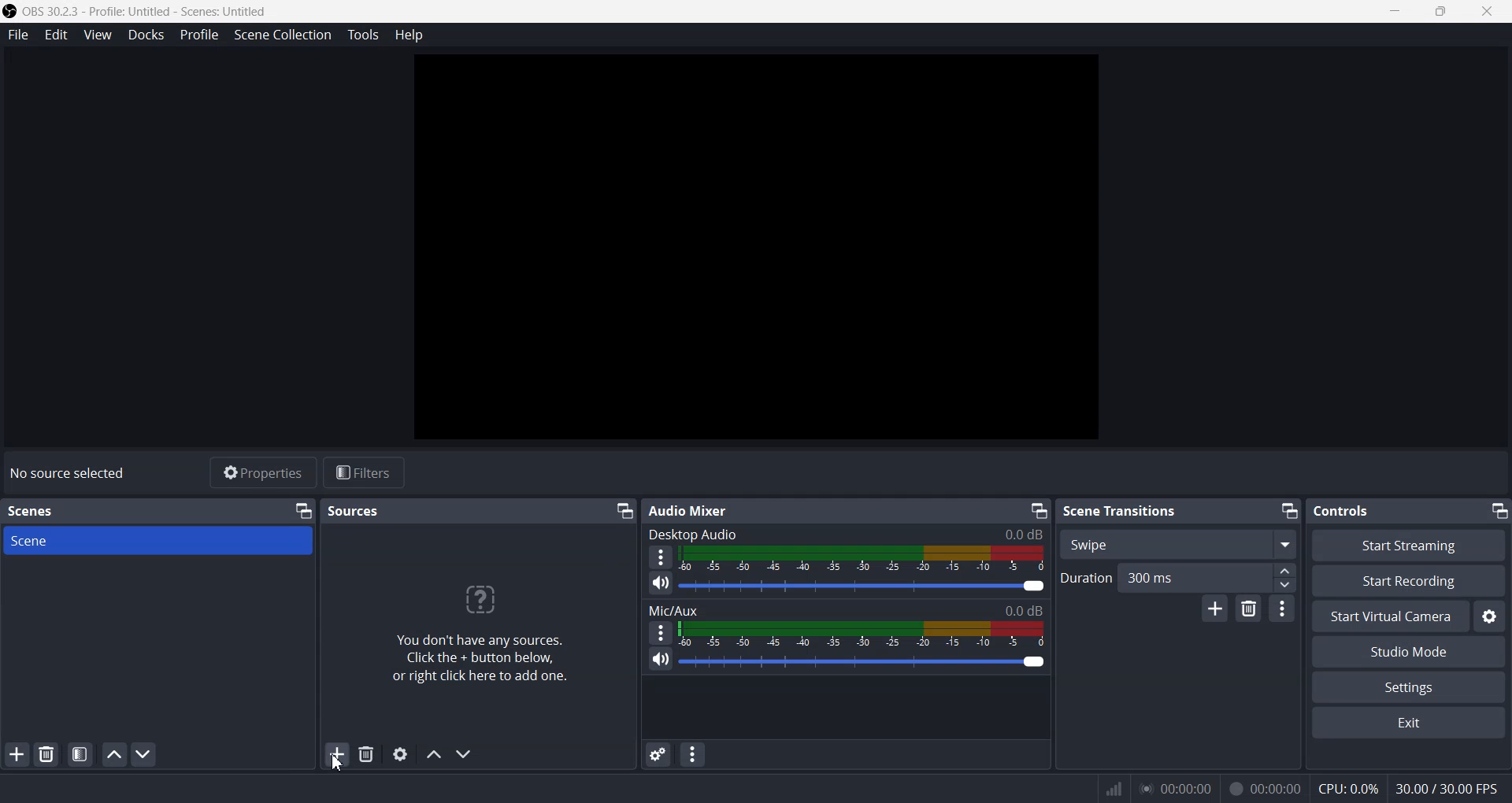 The width and height of the screenshot is (1512, 803). I want to click on View, so click(98, 35).